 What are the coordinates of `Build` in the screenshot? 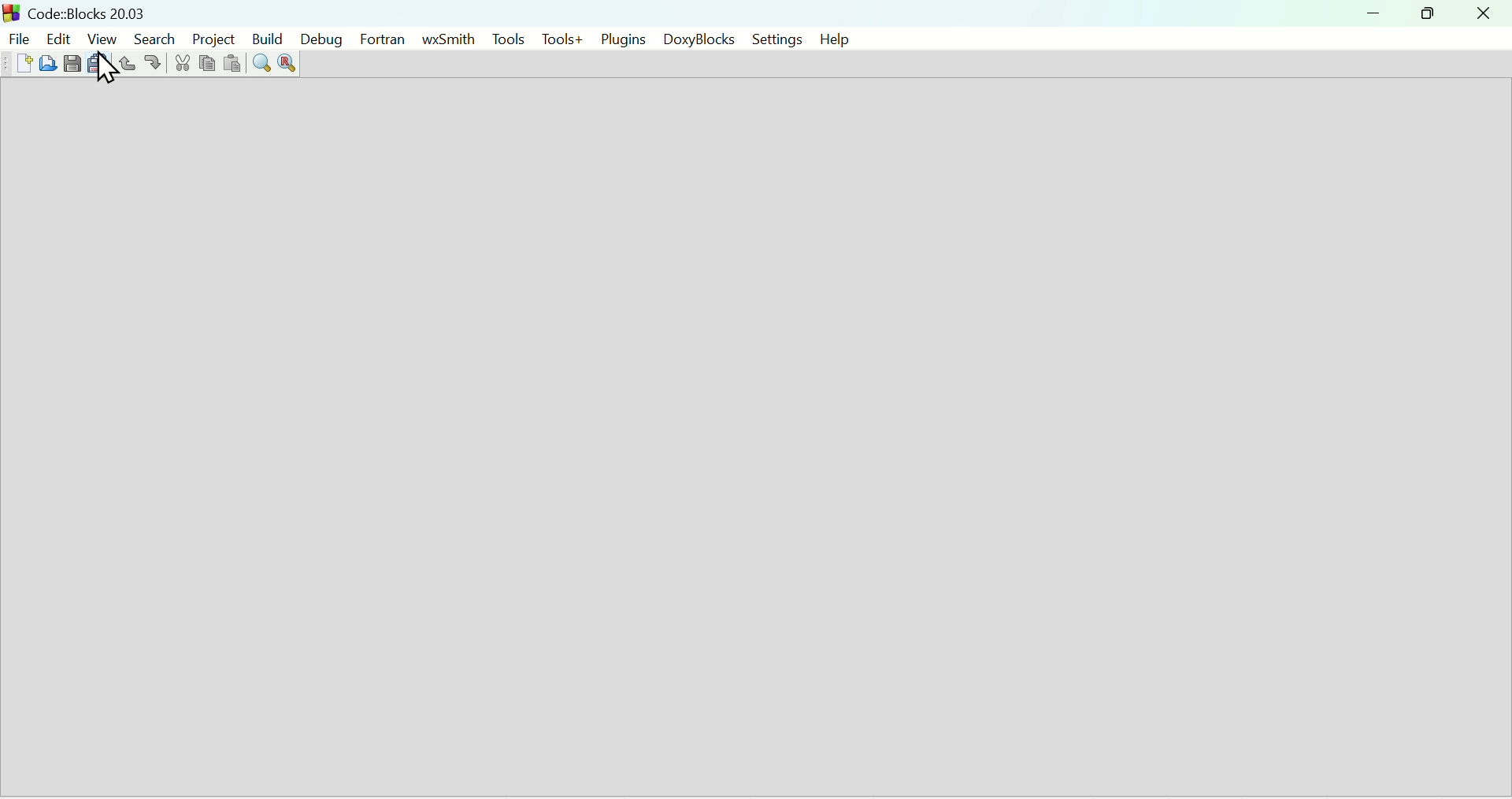 It's located at (264, 40).